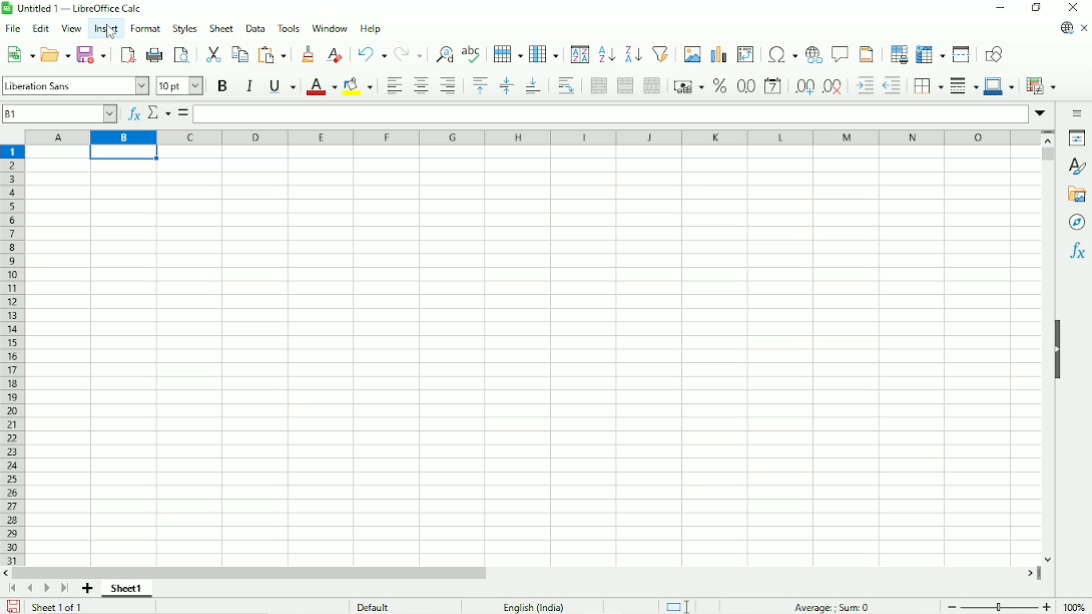 The height and width of the screenshot is (614, 1092). What do you see at coordinates (146, 28) in the screenshot?
I see `Format` at bounding box center [146, 28].